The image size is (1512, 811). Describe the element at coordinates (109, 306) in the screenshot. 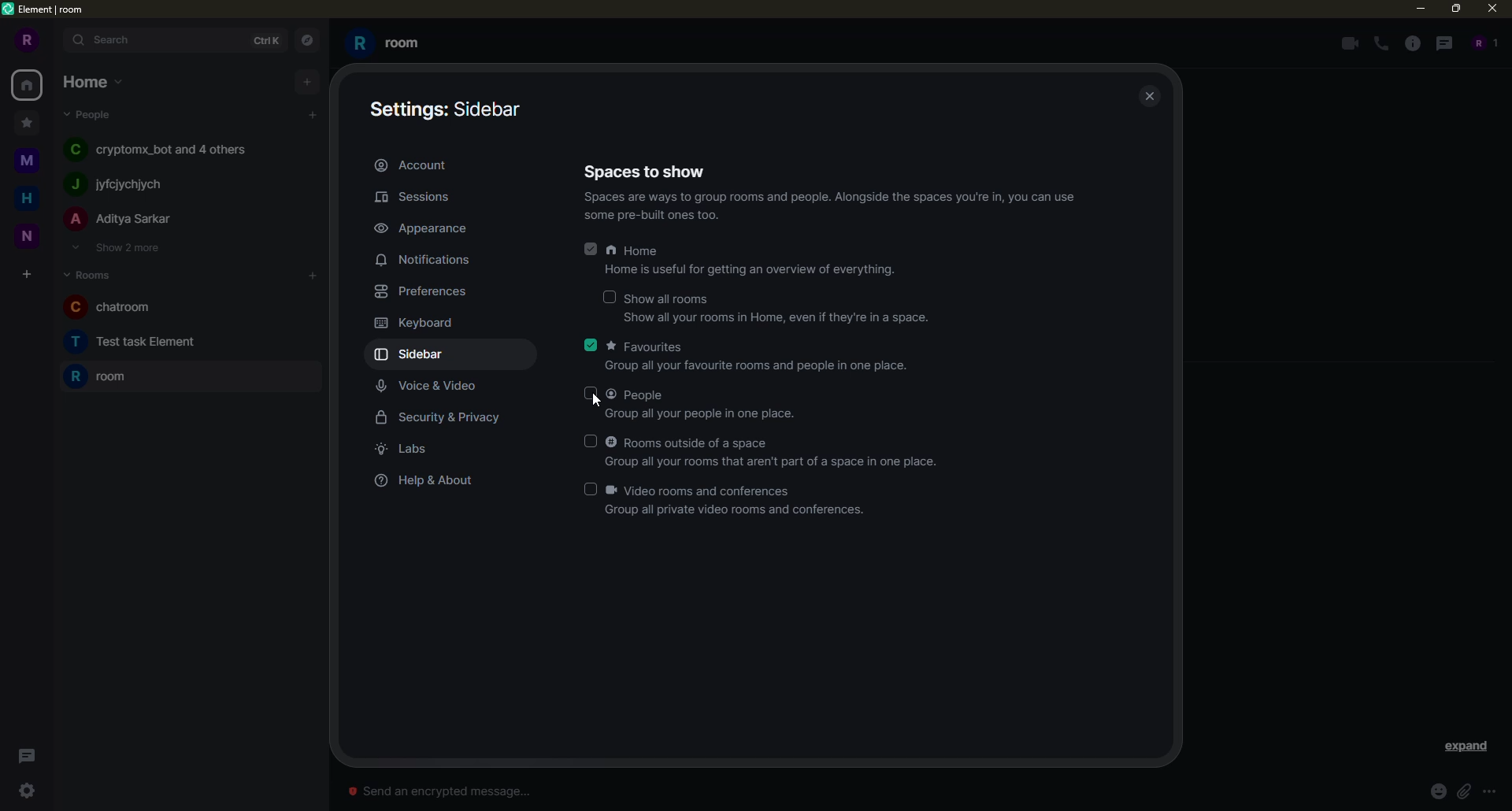

I see `C chatroom` at that location.